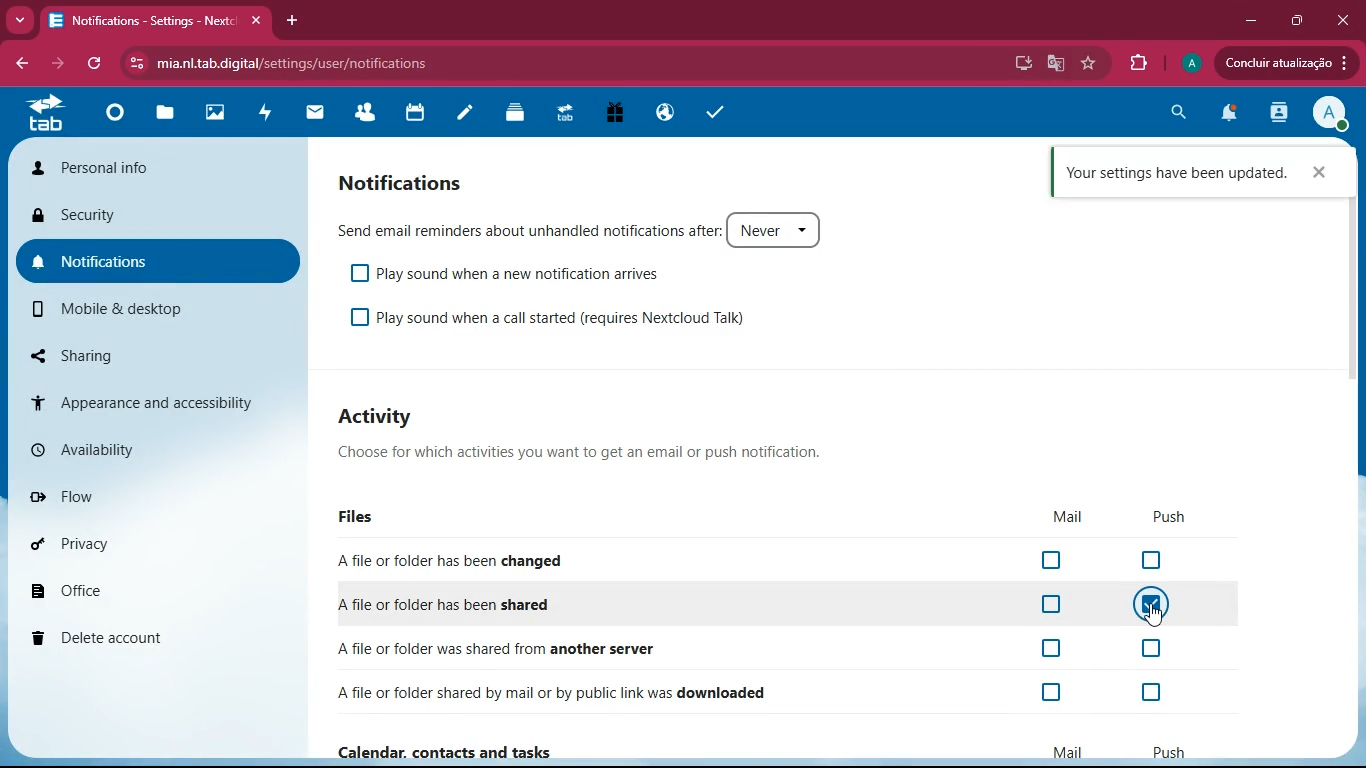  What do you see at coordinates (1175, 174) in the screenshot?
I see `confirmation` at bounding box center [1175, 174].